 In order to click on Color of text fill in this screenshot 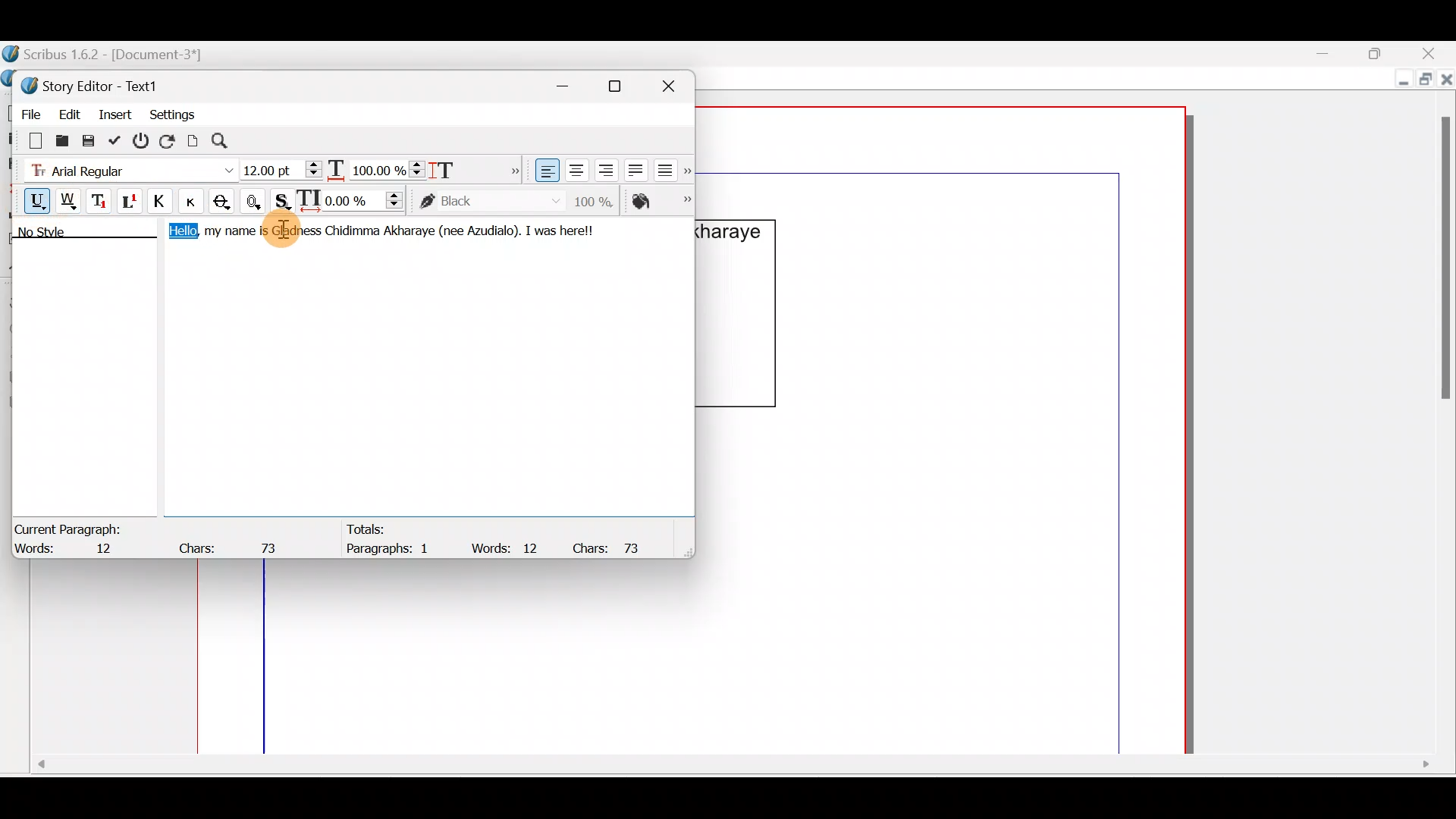, I will do `click(660, 201)`.